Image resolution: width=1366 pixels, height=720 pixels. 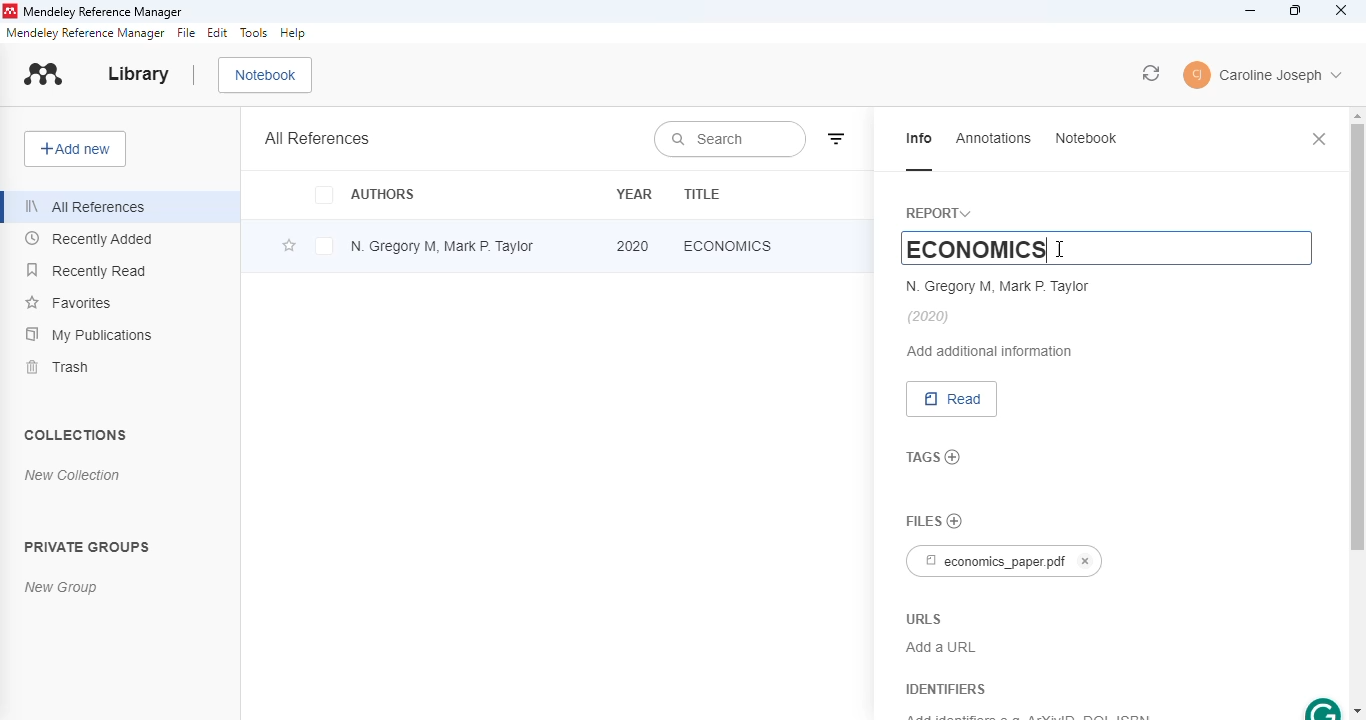 I want to click on edit, so click(x=217, y=33).